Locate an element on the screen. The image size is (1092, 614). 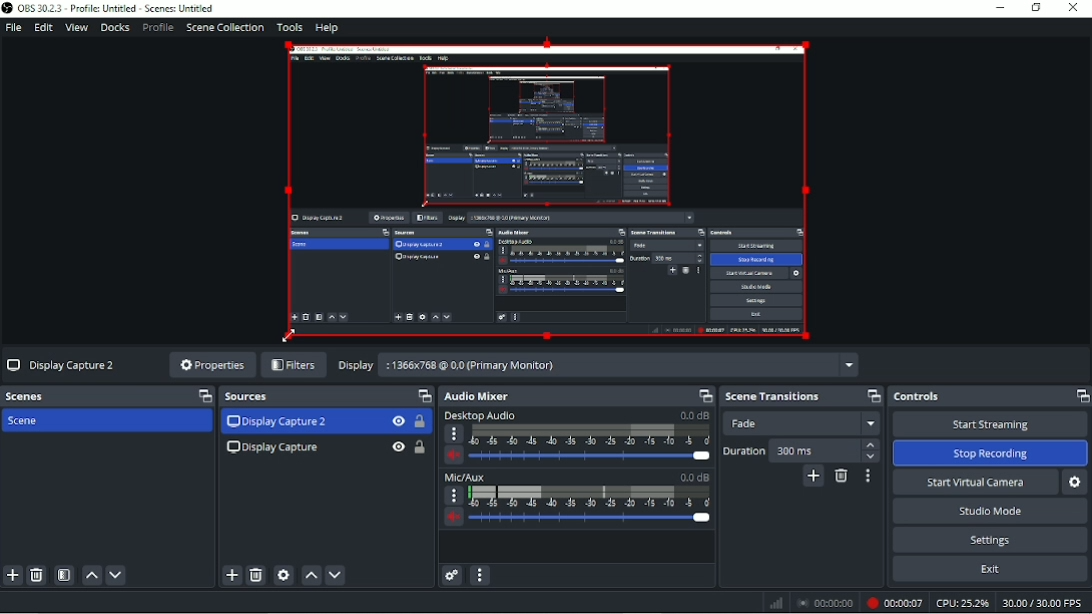
Edit is located at coordinates (43, 27).